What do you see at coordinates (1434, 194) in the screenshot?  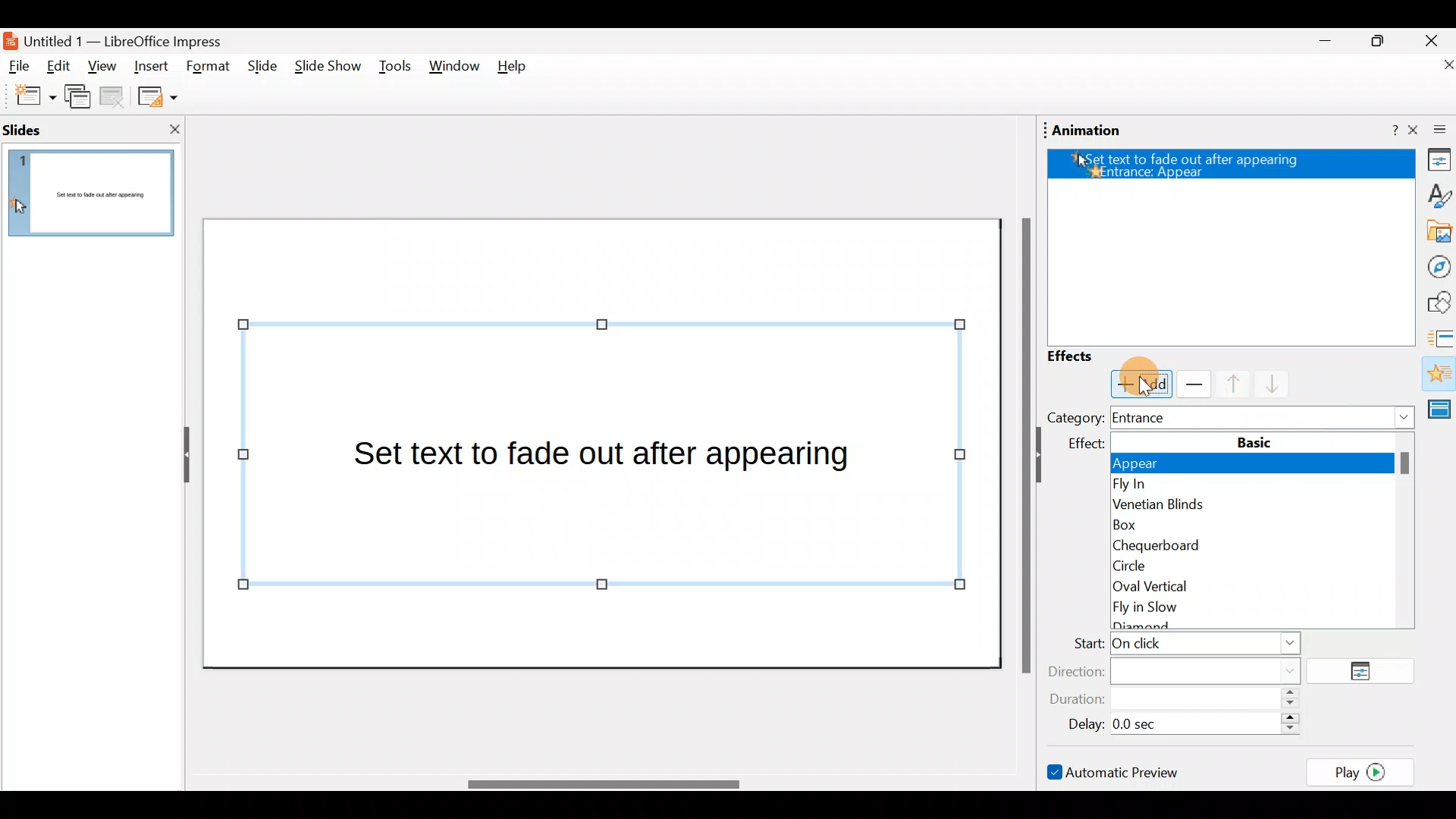 I see `Style` at bounding box center [1434, 194].